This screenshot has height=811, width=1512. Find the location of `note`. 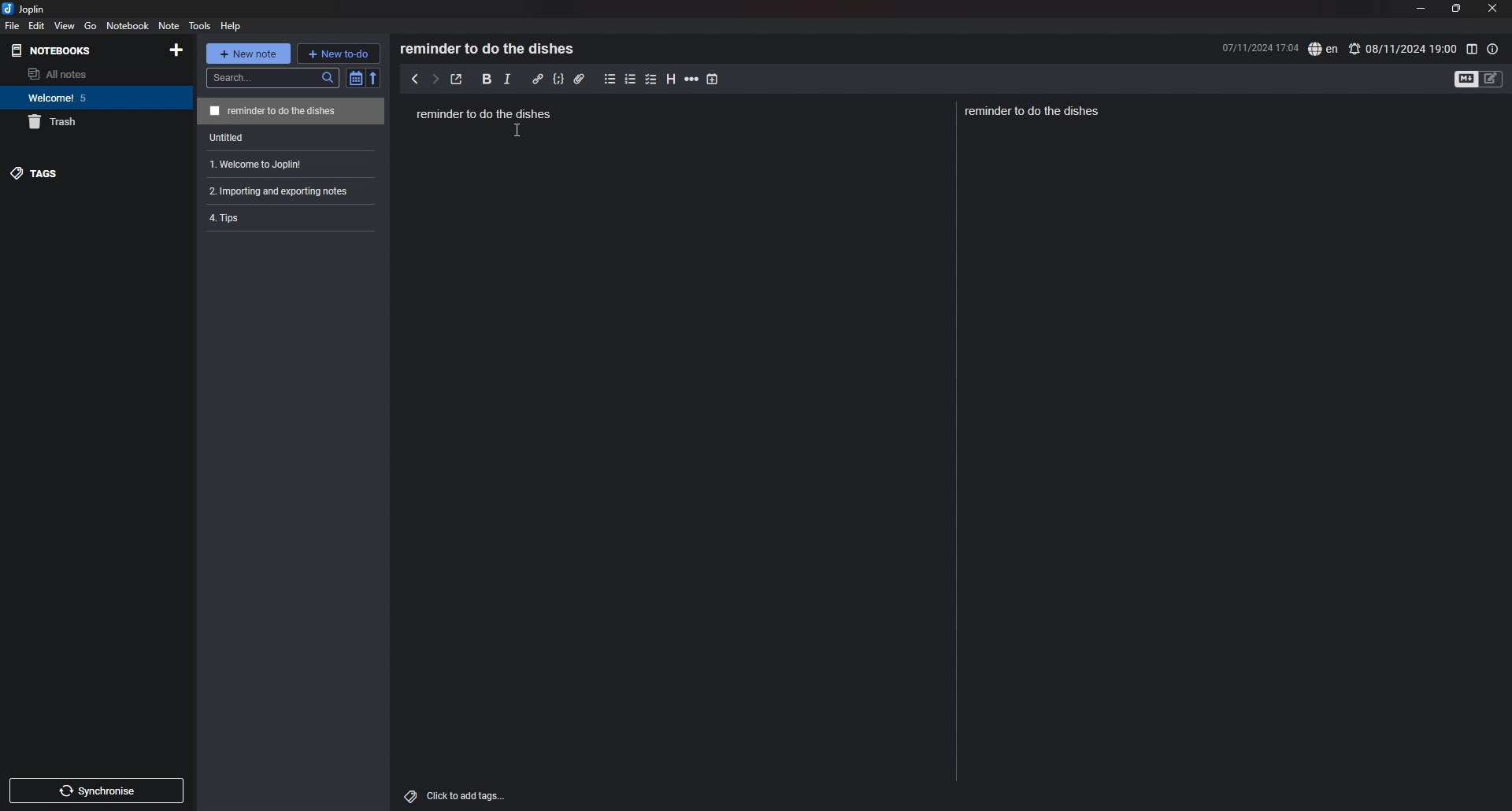

note is located at coordinates (294, 111).